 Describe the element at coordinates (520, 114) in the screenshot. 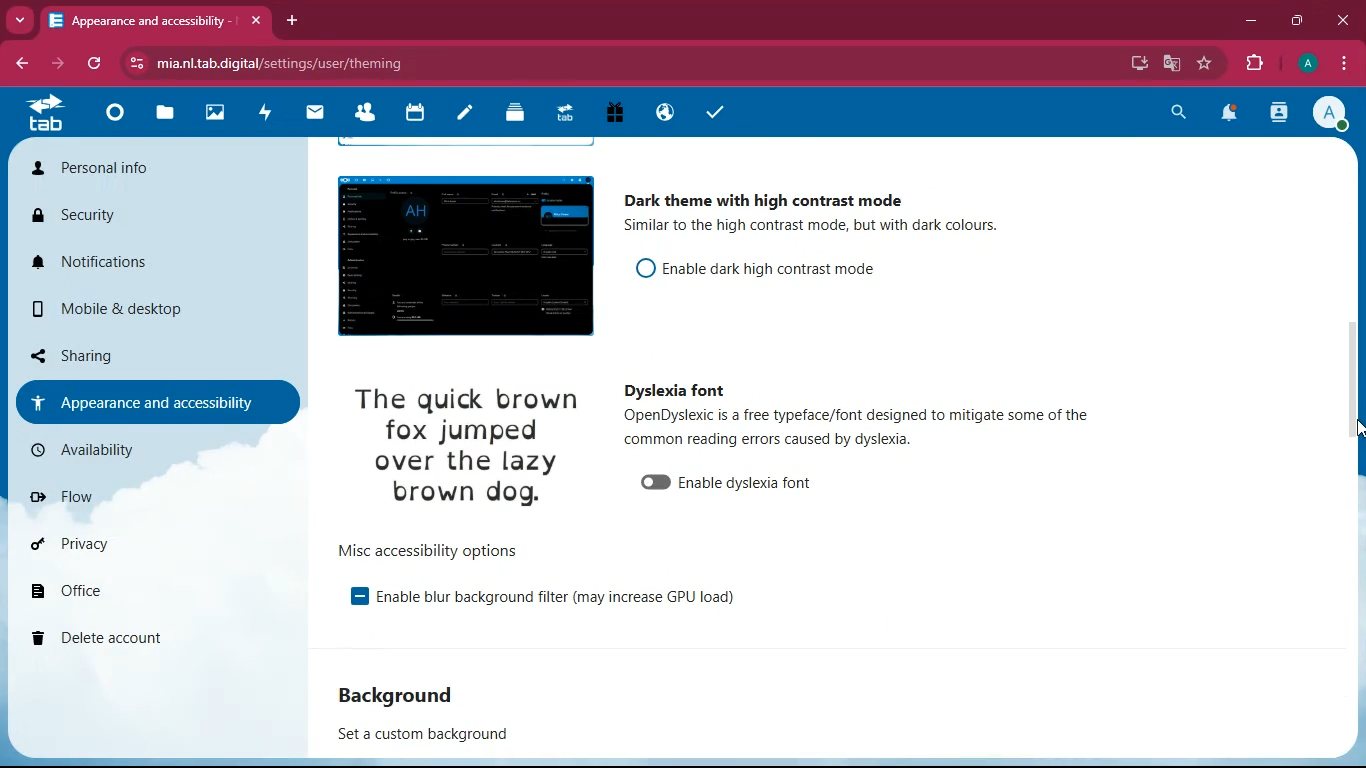

I see `layers` at that location.